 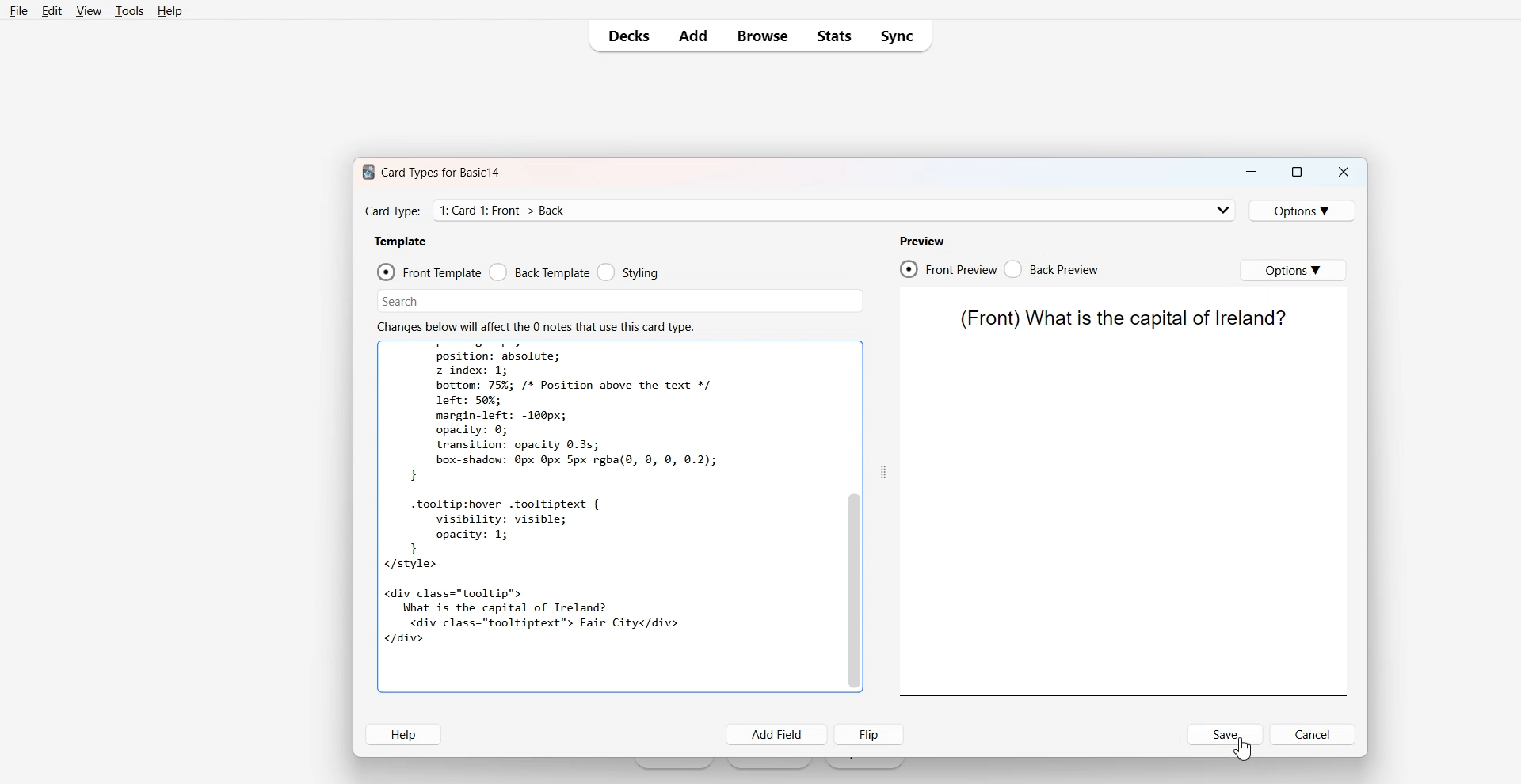 I want to click on Stats, so click(x=833, y=36).